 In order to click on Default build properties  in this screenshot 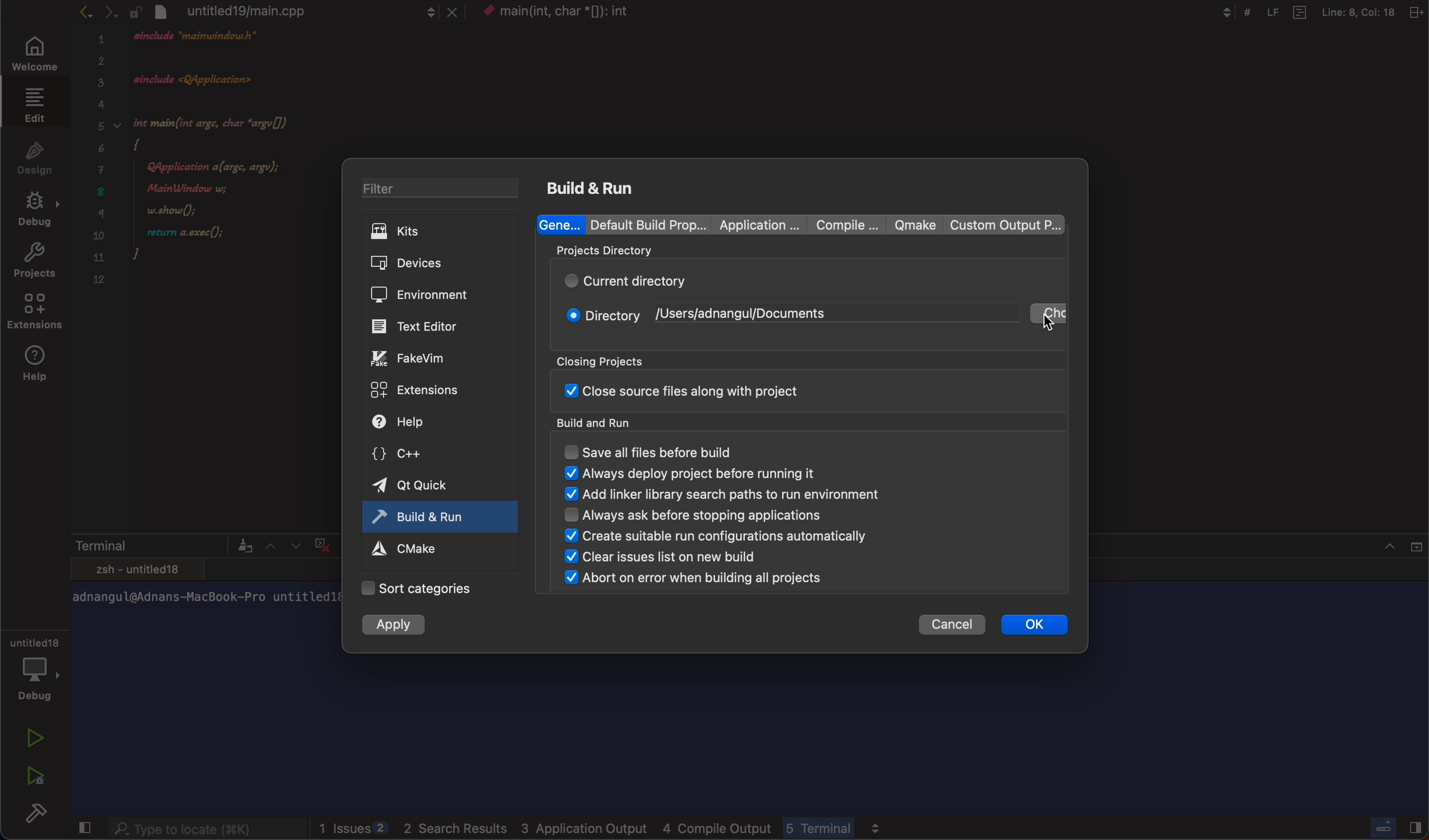, I will do `click(648, 224)`.